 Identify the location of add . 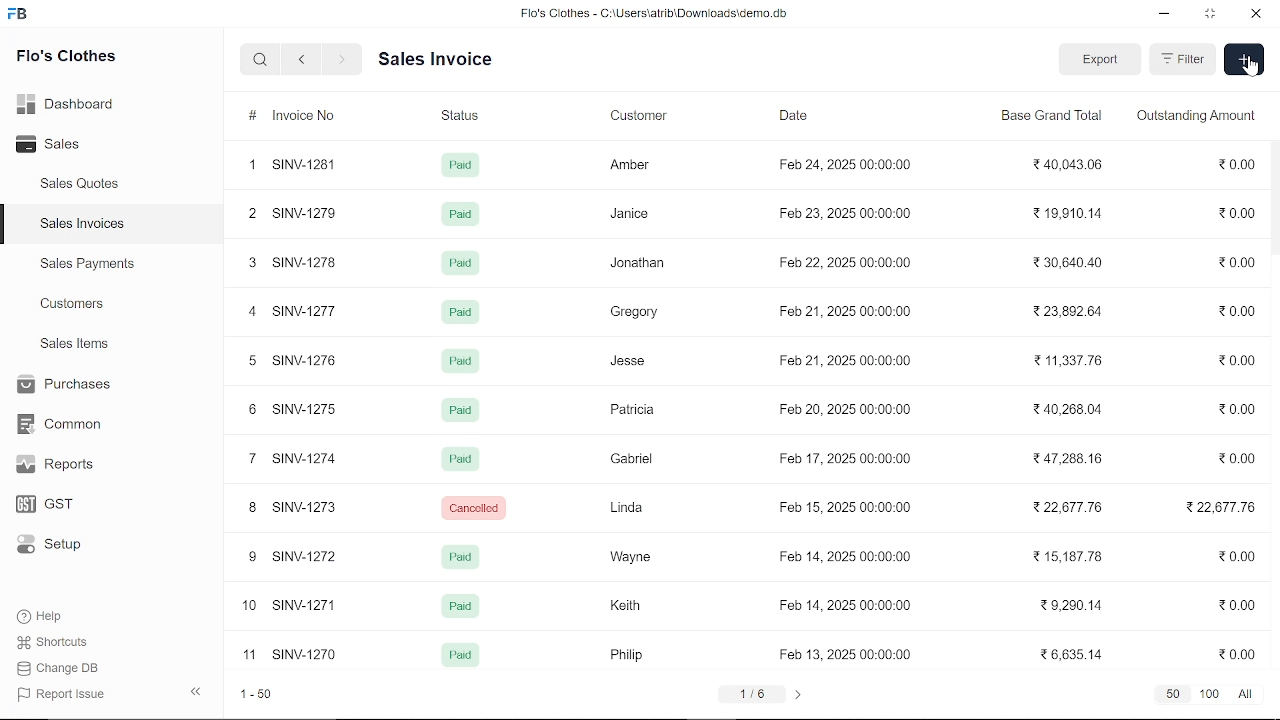
(1244, 58).